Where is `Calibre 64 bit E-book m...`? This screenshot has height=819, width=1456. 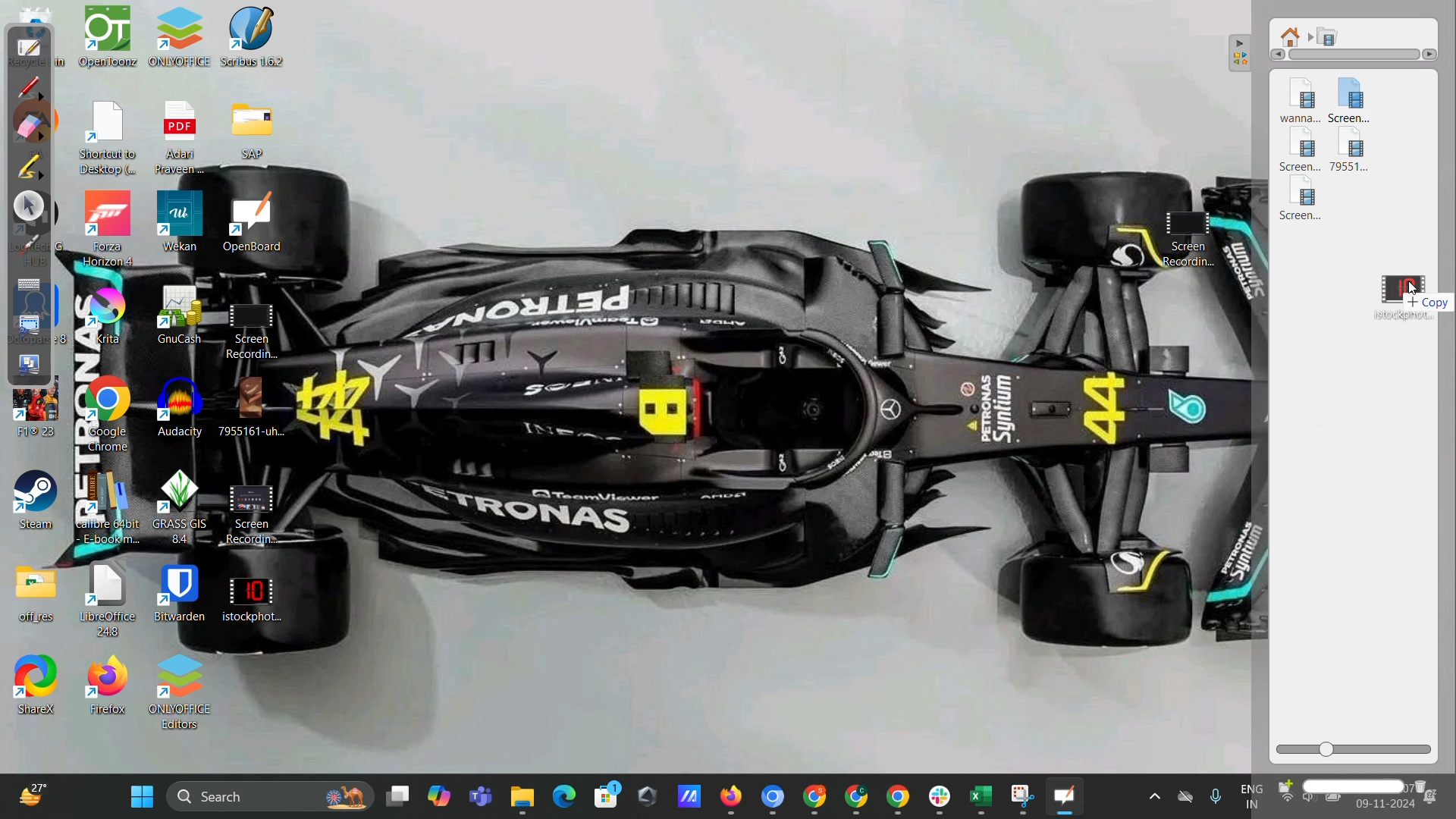
Calibre 64 bit E-book m... is located at coordinates (115, 505).